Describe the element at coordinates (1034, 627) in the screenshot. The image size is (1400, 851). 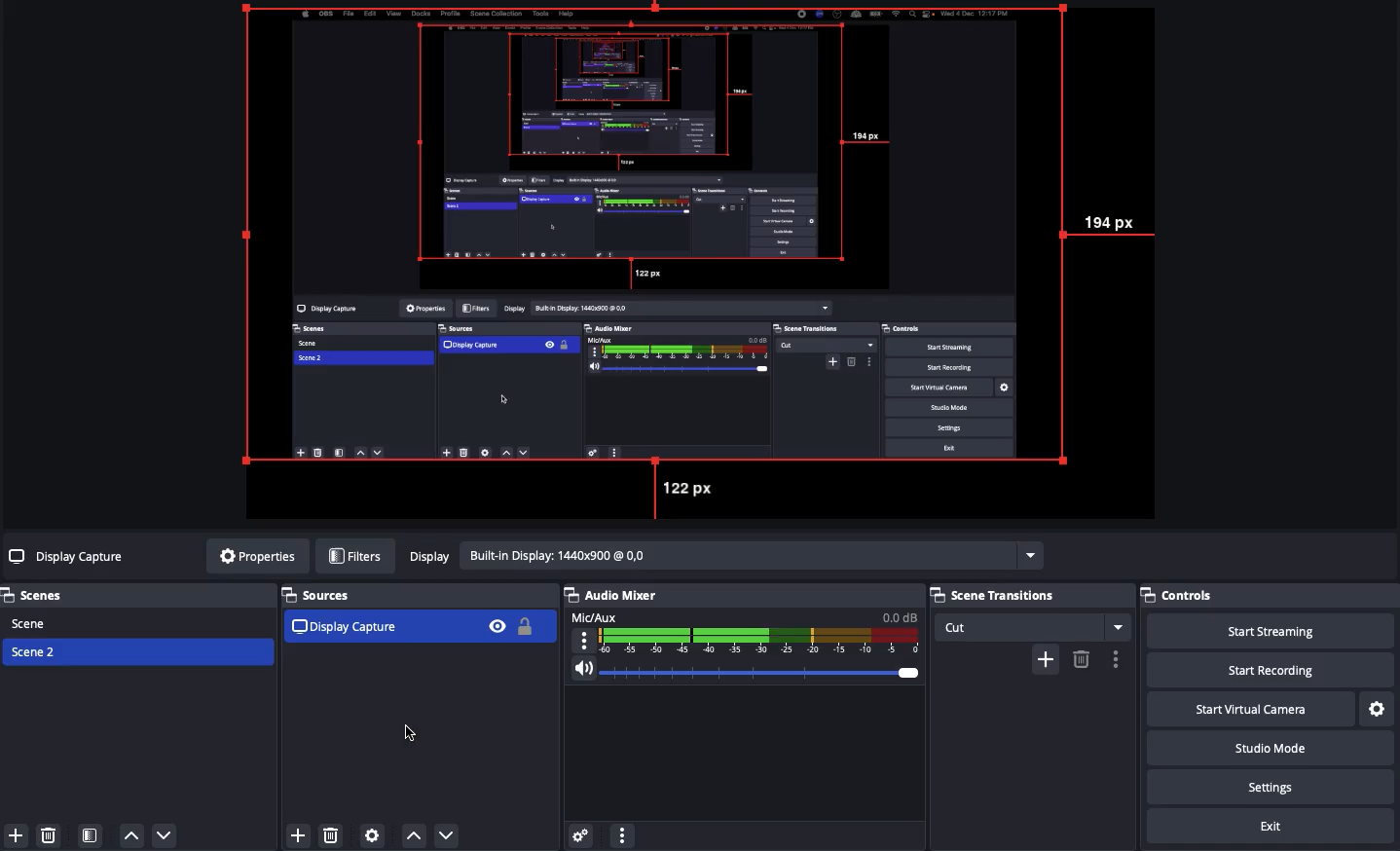
I see `Cut` at that location.